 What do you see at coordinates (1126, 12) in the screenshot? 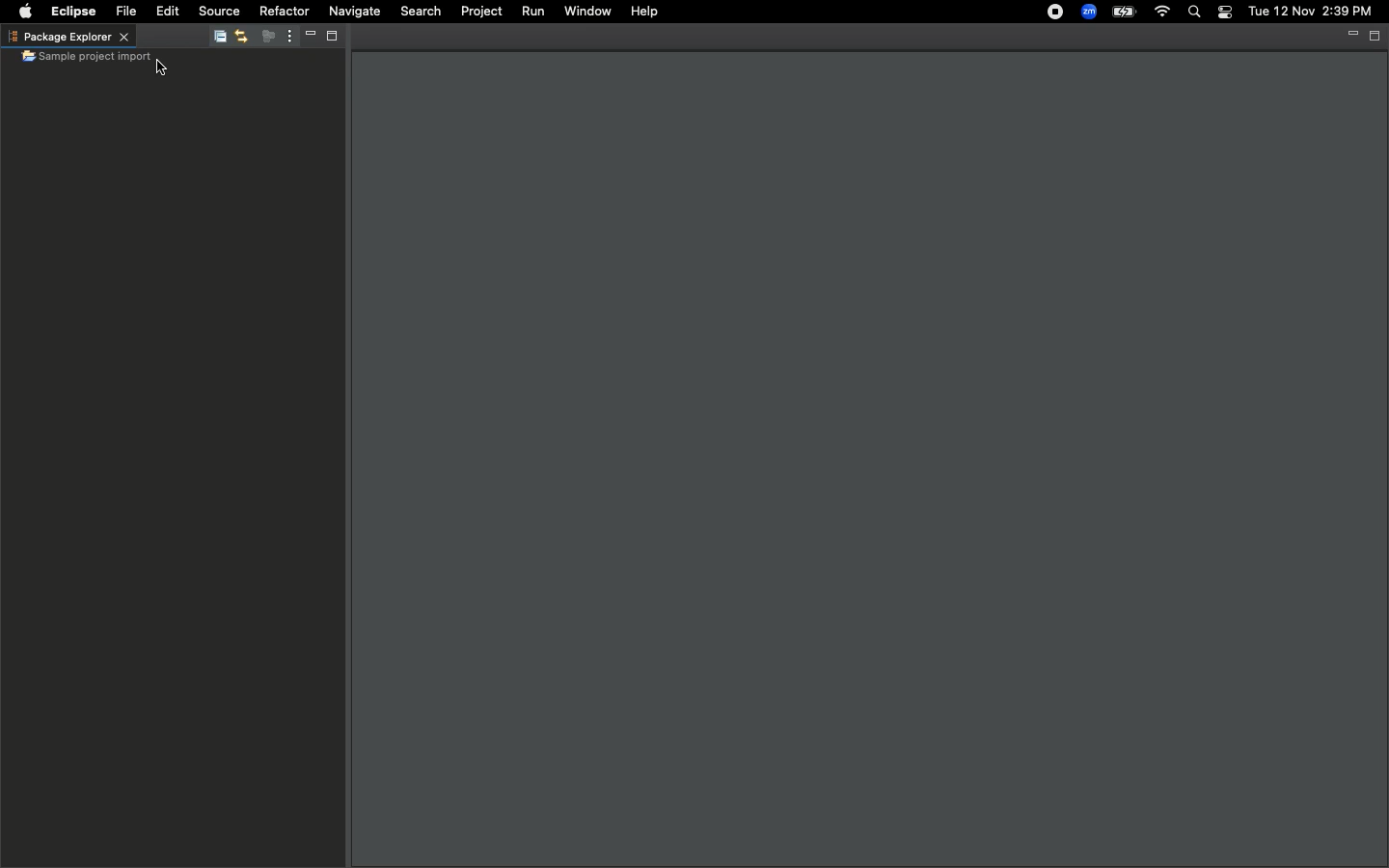
I see `Charge` at bounding box center [1126, 12].